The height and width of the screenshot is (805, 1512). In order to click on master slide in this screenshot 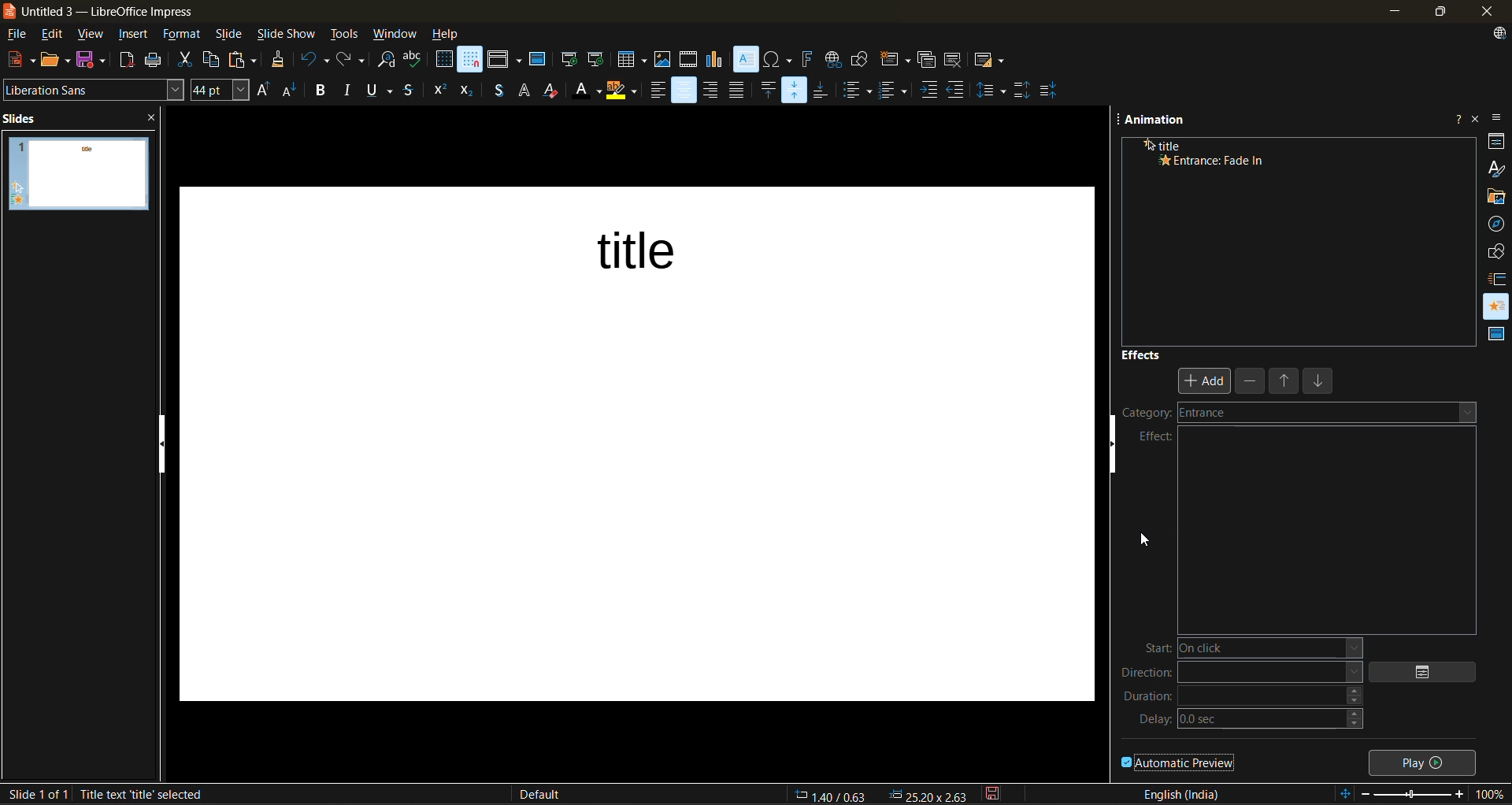, I will do `click(538, 61)`.